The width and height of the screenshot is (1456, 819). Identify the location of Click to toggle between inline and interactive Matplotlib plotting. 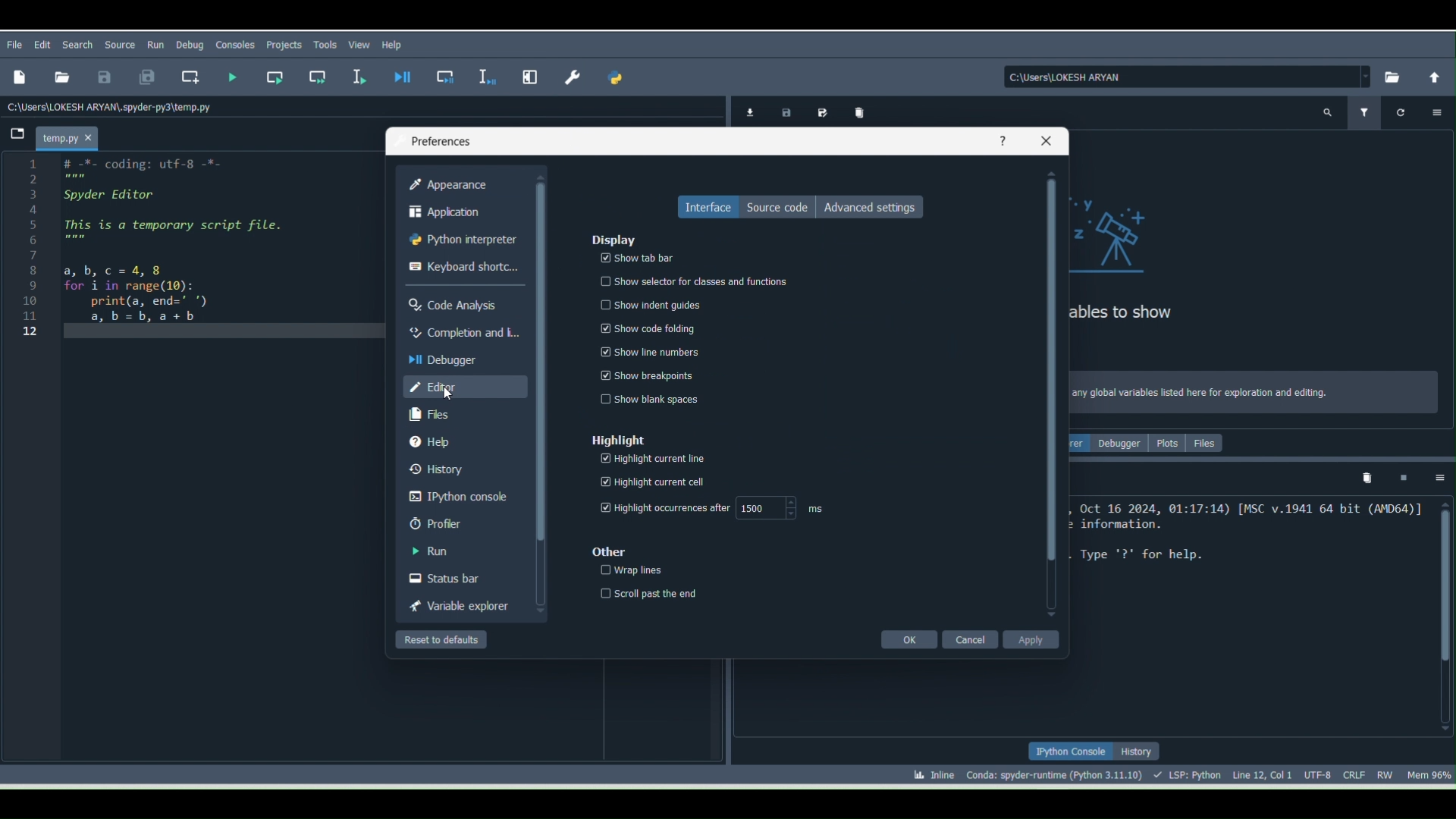
(925, 771).